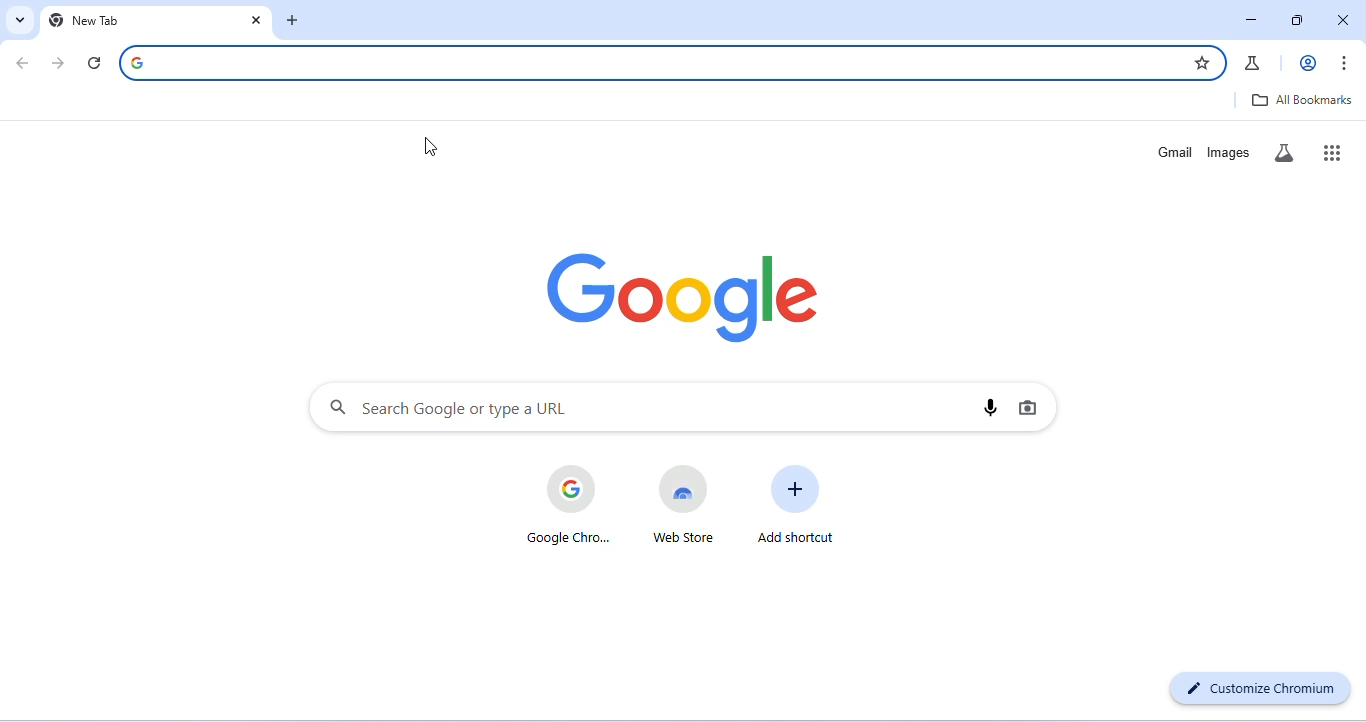 This screenshot has width=1366, height=722. Describe the element at coordinates (1170, 152) in the screenshot. I see `gmail` at that location.